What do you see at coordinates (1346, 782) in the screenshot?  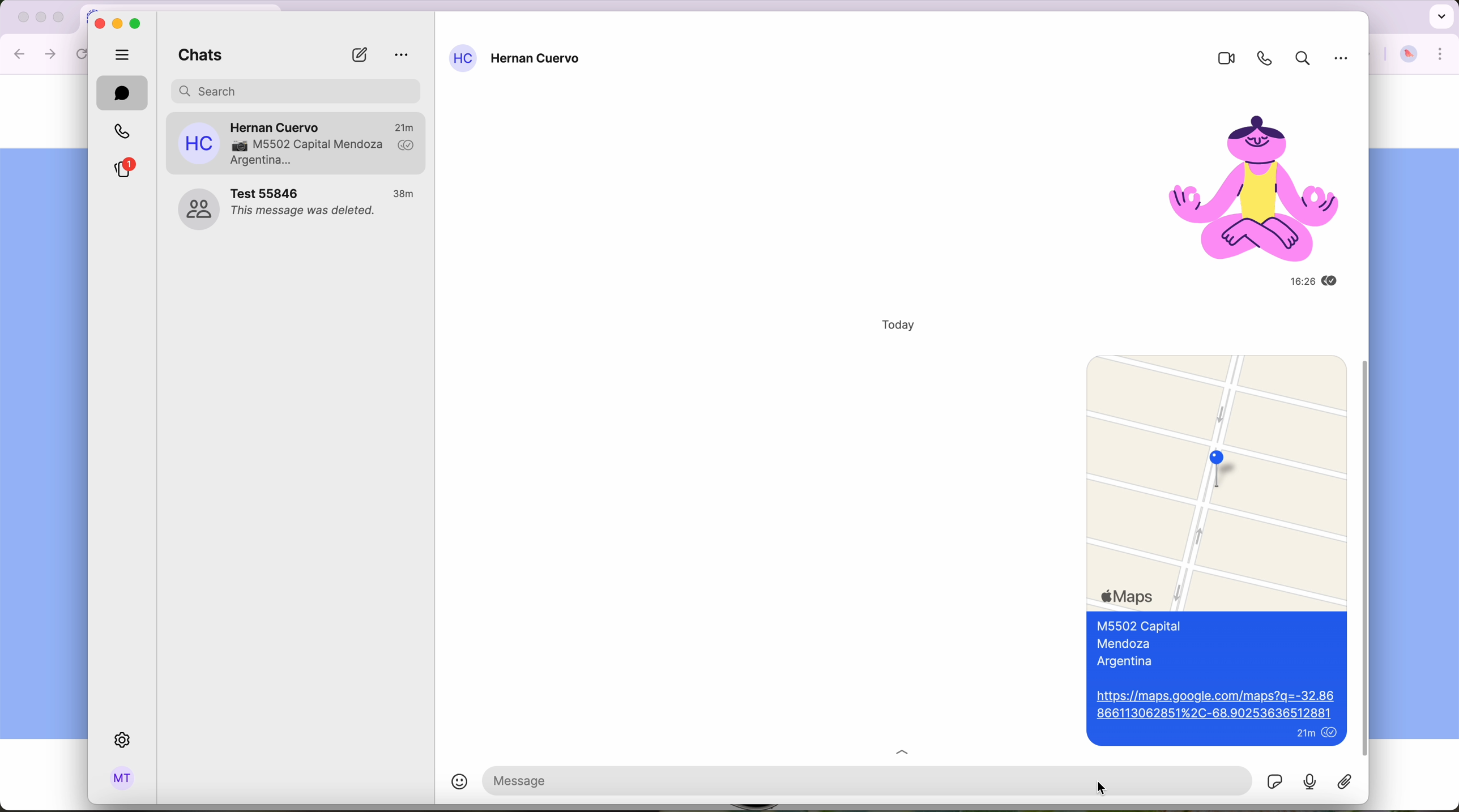 I see `sticker` at bounding box center [1346, 782].